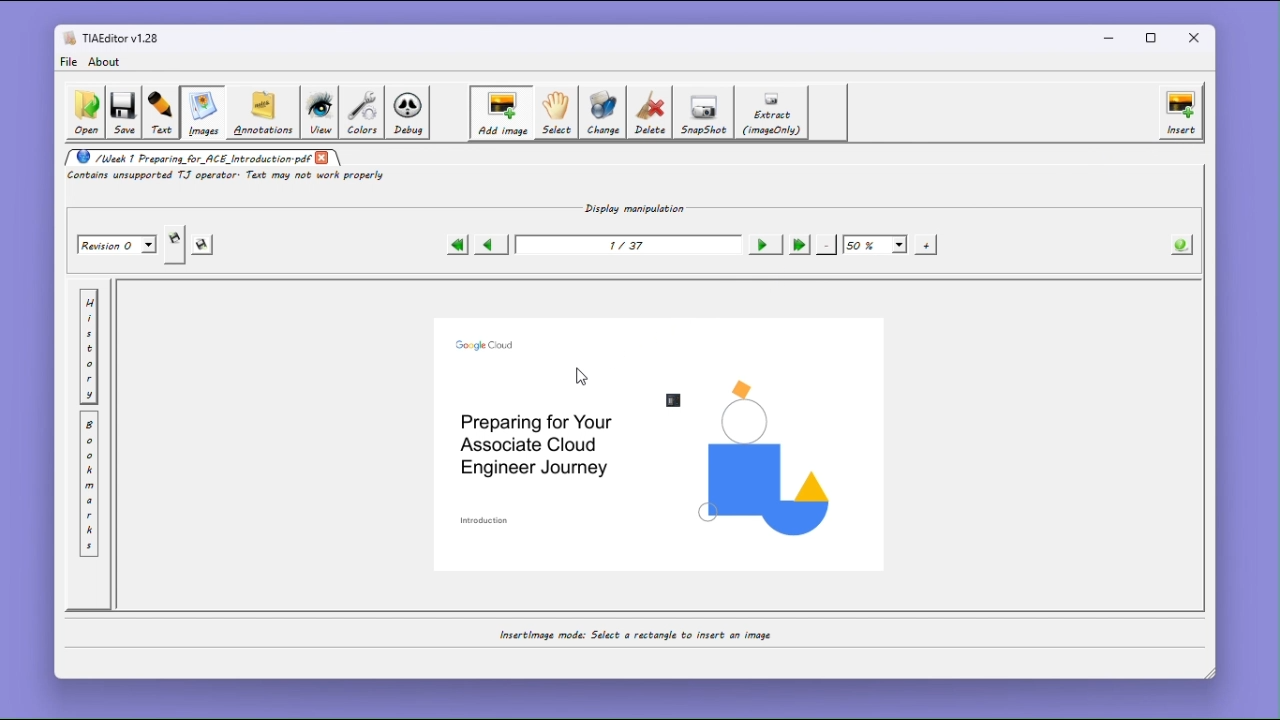 This screenshot has height=720, width=1280. Describe the element at coordinates (84, 113) in the screenshot. I see `Open` at that location.